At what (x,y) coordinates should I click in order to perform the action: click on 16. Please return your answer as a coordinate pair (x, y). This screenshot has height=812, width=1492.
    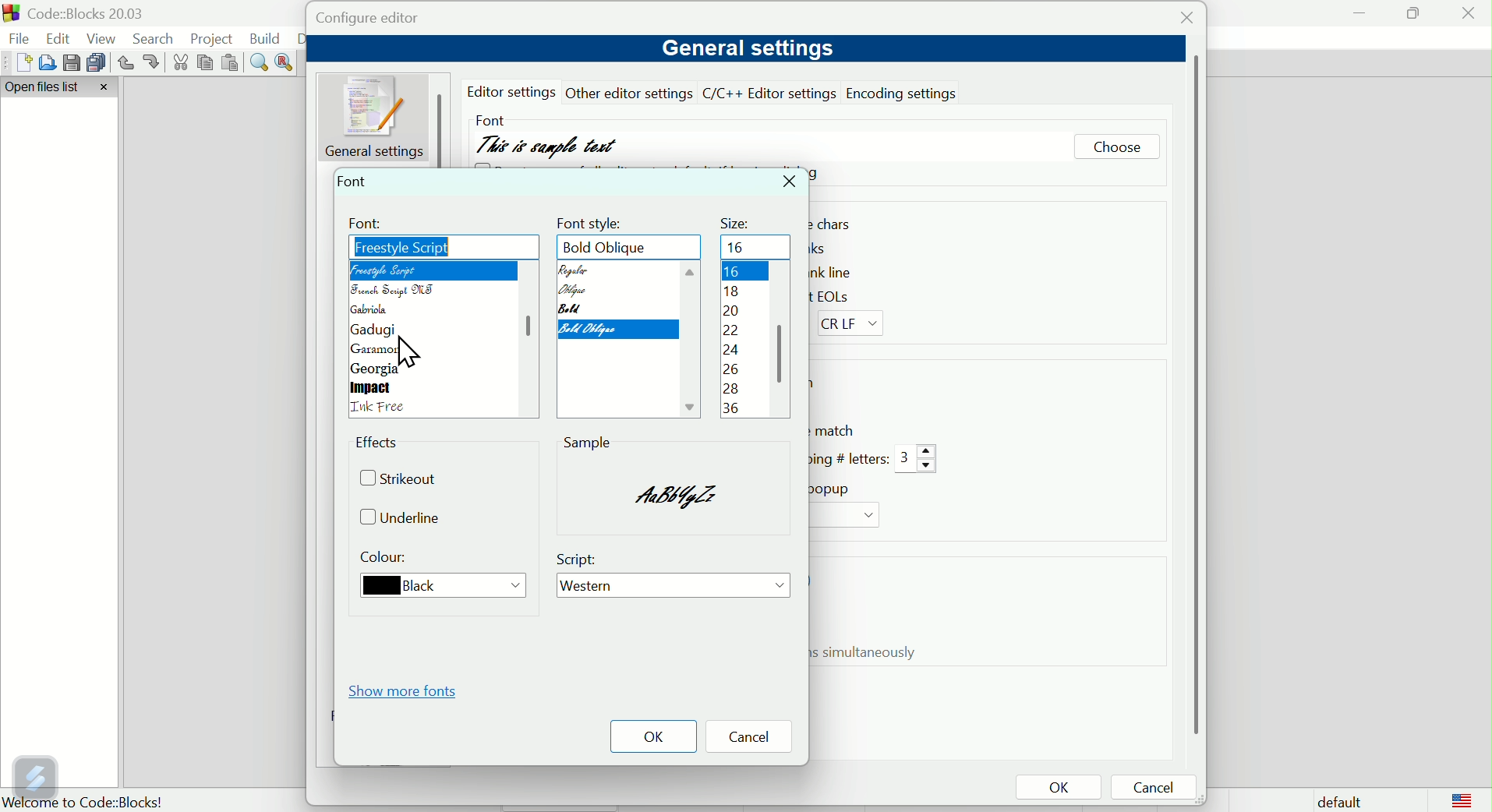
    Looking at the image, I should click on (730, 274).